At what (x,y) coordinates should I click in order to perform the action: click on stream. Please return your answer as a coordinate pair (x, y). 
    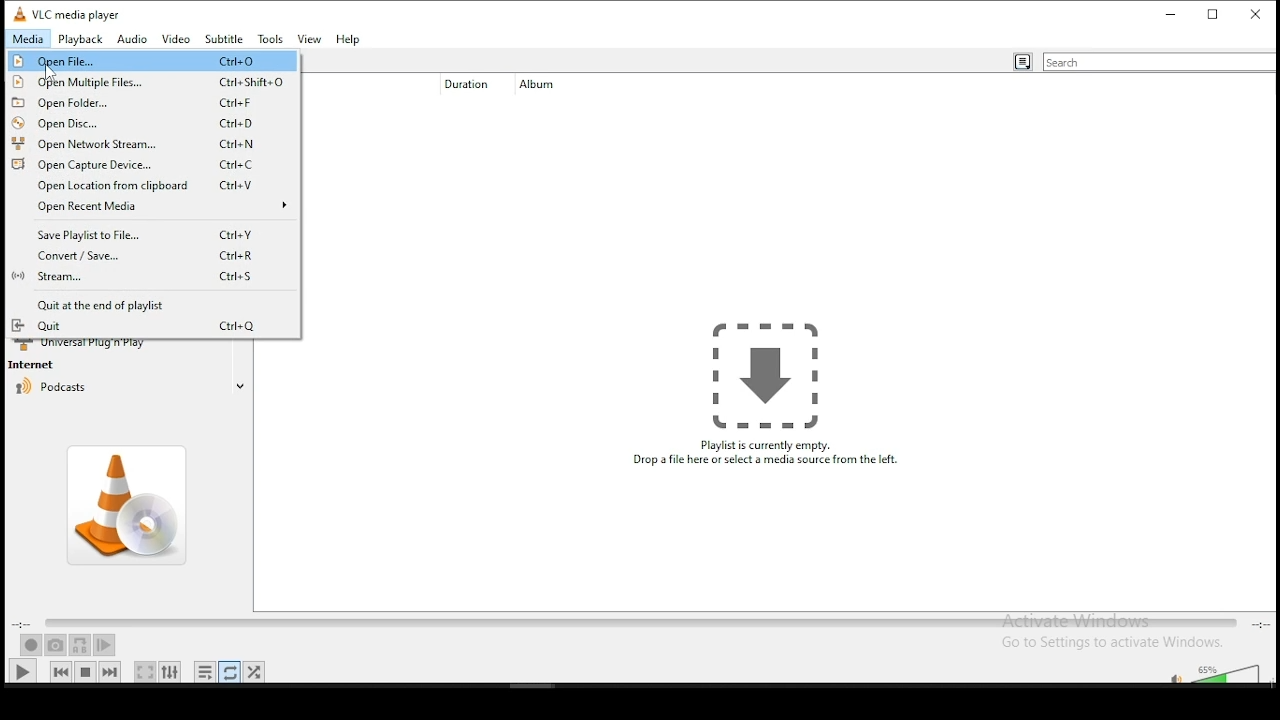
    Looking at the image, I should click on (137, 279).